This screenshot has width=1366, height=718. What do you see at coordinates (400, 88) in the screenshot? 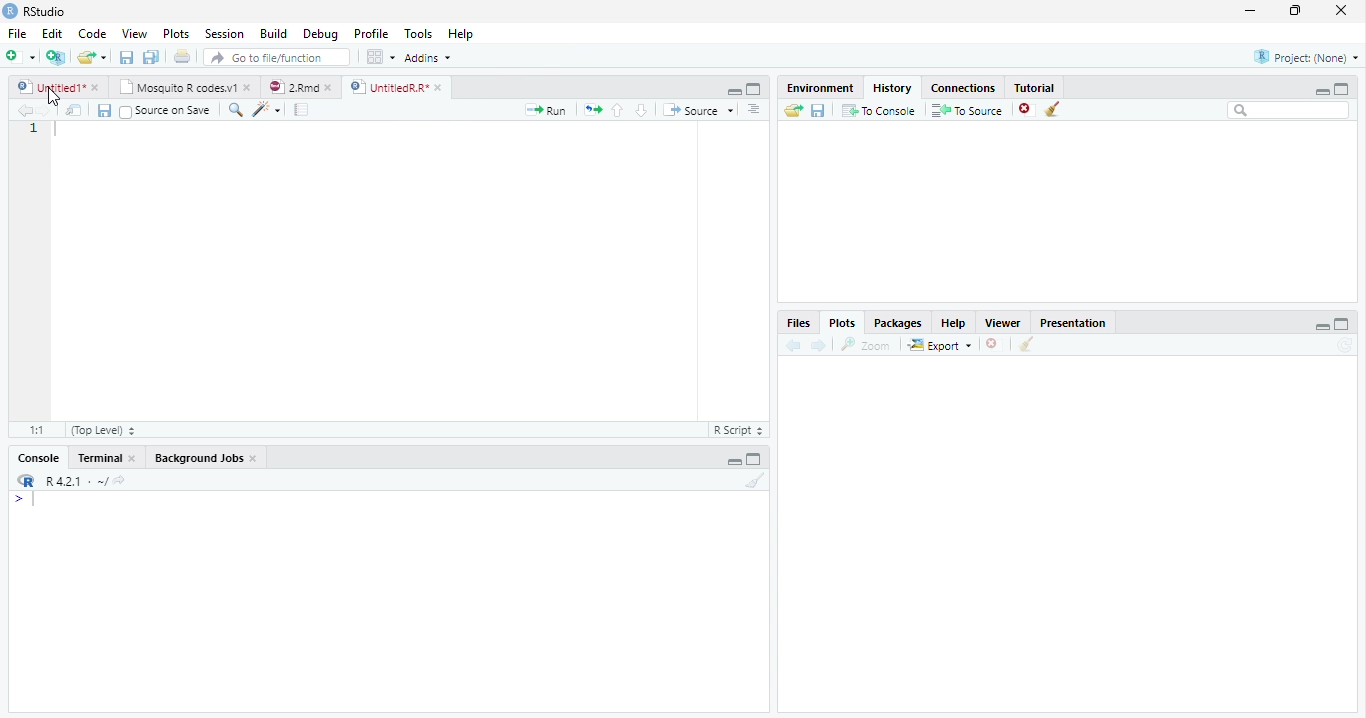
I see `UntitledR.R` at bounding box center [400, 88].